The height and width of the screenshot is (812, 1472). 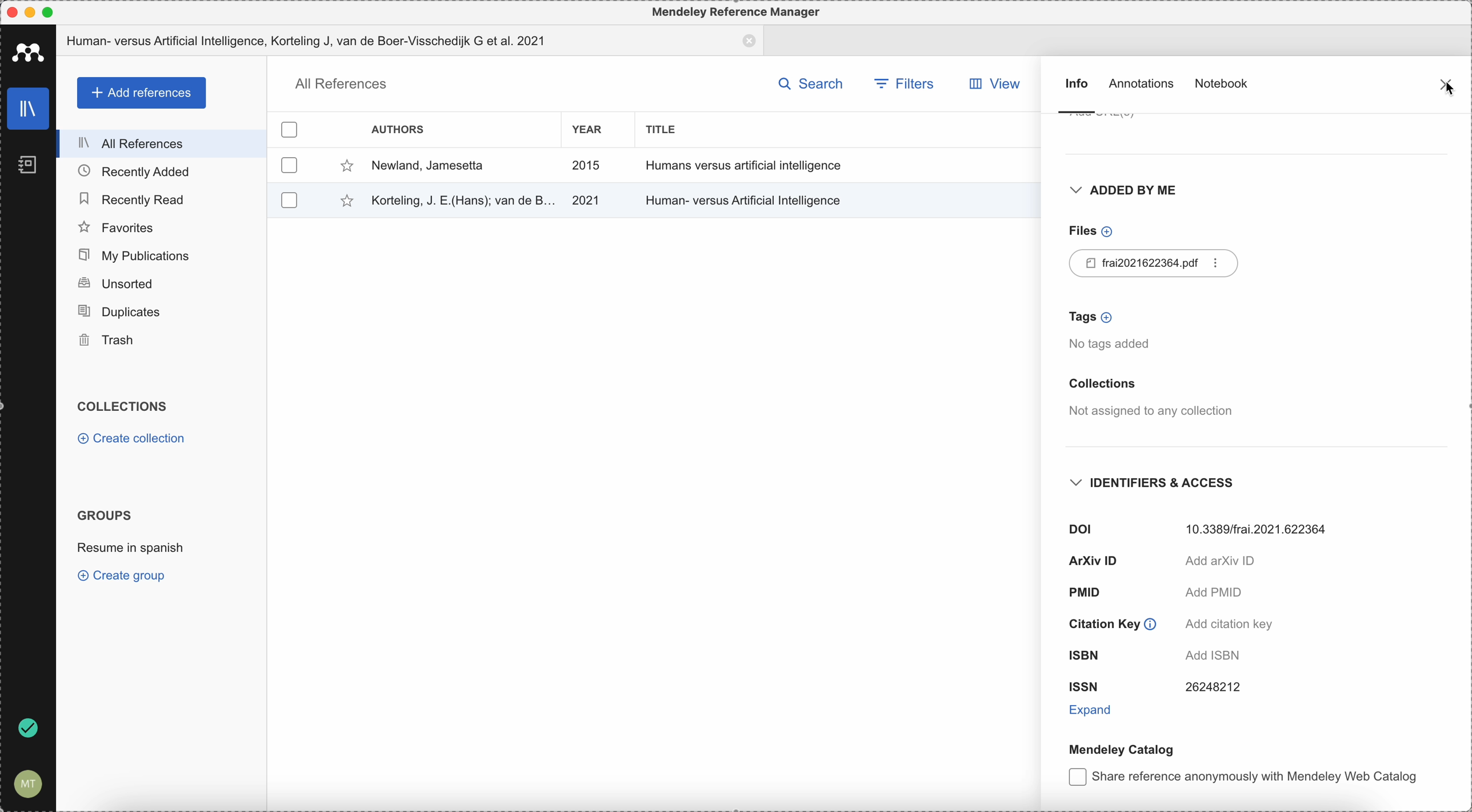 I want to click on notebook, so click(x=1223, y=82).